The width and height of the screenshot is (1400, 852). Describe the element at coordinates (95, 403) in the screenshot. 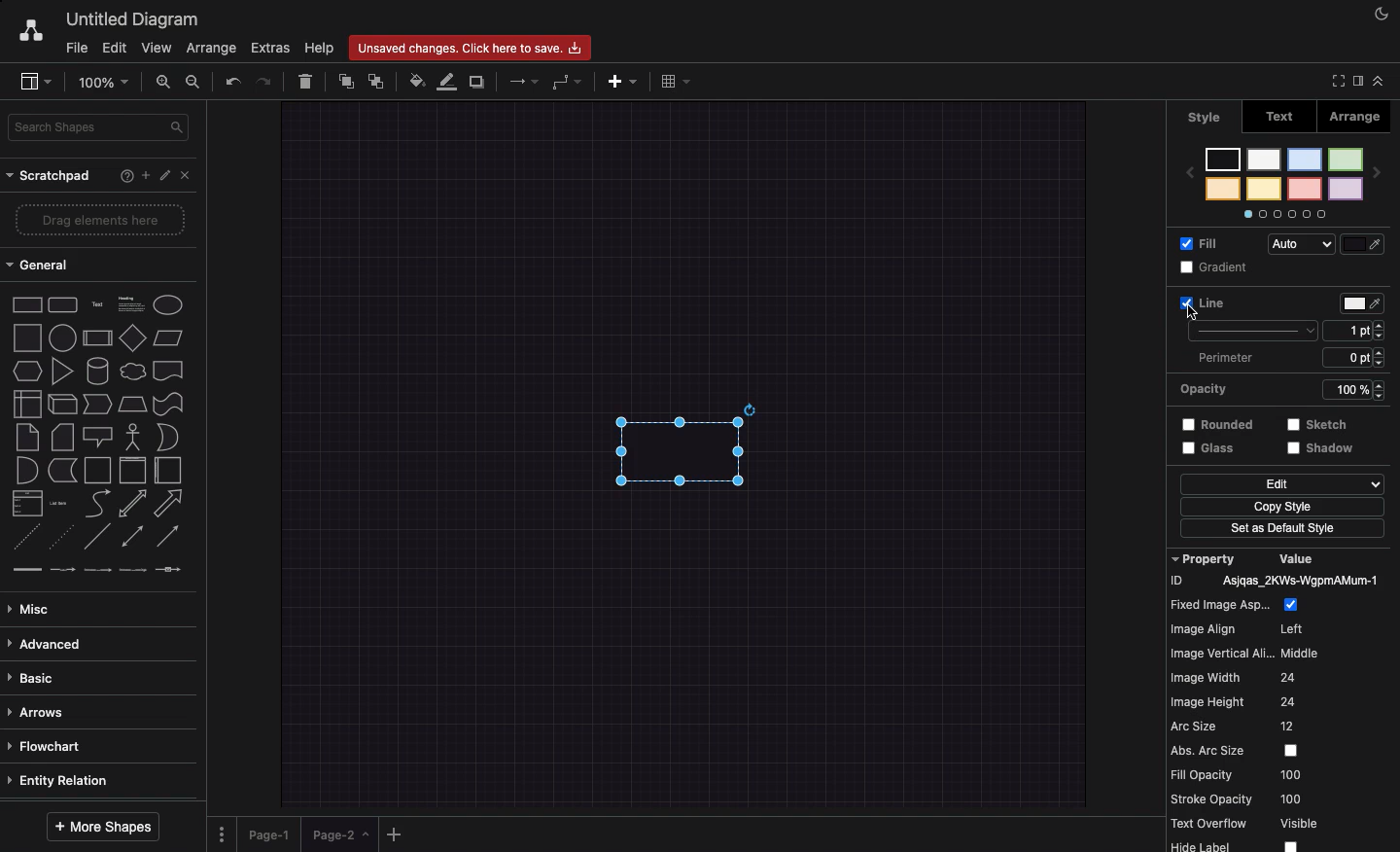

I see `step` at that location.